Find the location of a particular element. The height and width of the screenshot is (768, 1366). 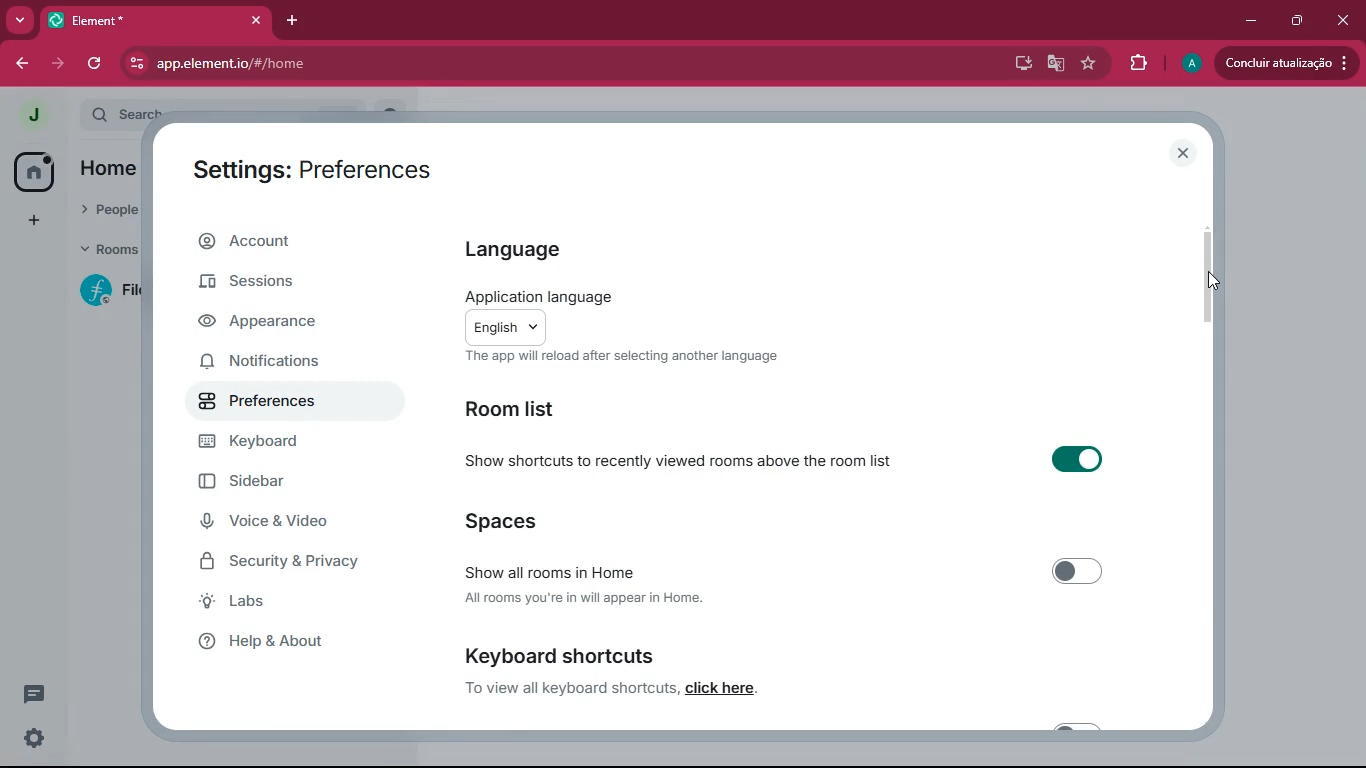

keyboard shortcuts is located at coordinates (560, 654).